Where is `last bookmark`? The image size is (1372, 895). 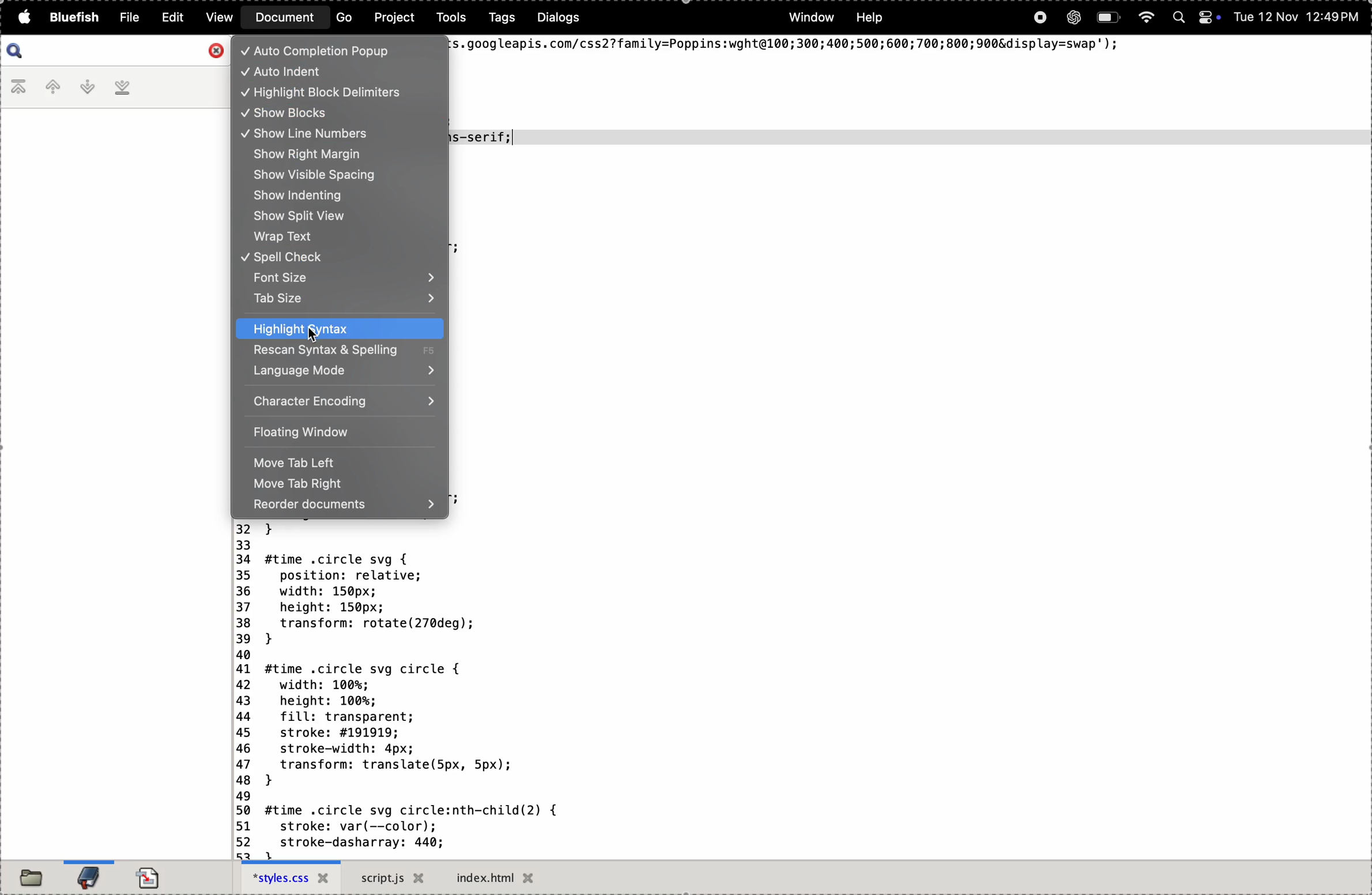
last bookmark is located at coordinates (125, 89).